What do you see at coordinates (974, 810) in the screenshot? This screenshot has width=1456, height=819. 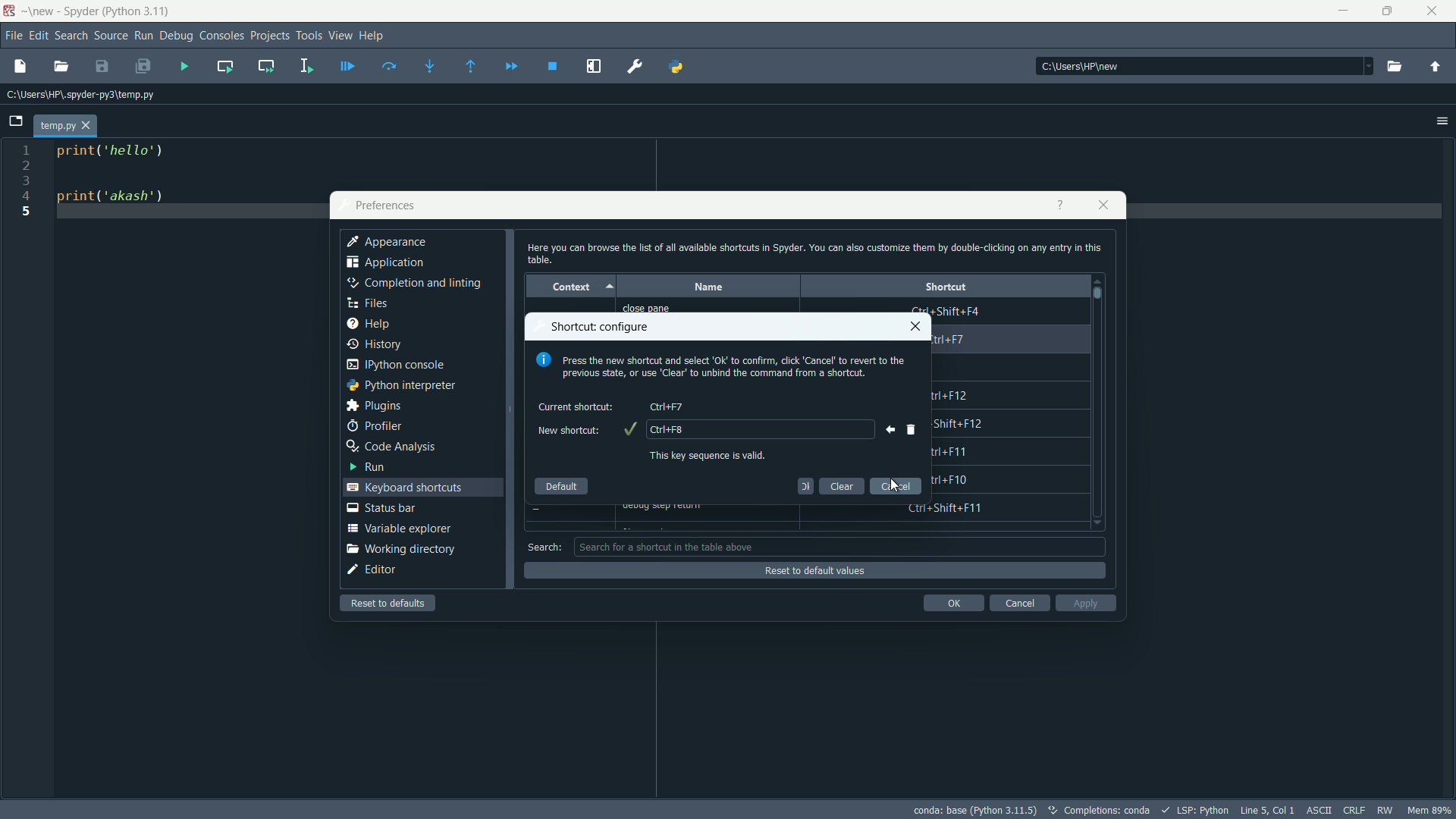 I see `interpreter` at bounding box center [974, 810].